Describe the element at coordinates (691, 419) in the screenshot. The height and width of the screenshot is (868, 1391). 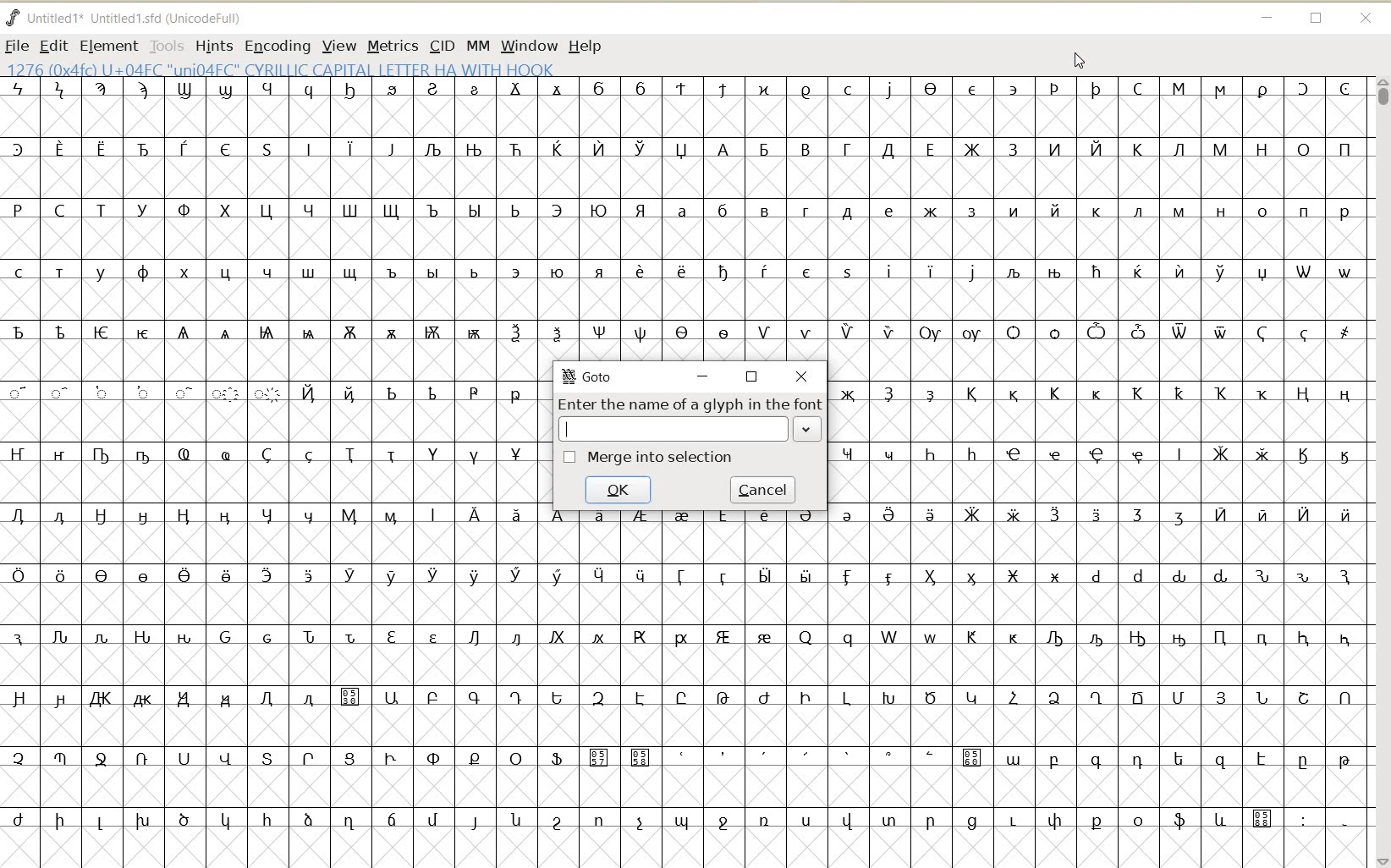
I see `Enter the name of a glyph in th font` at that location.